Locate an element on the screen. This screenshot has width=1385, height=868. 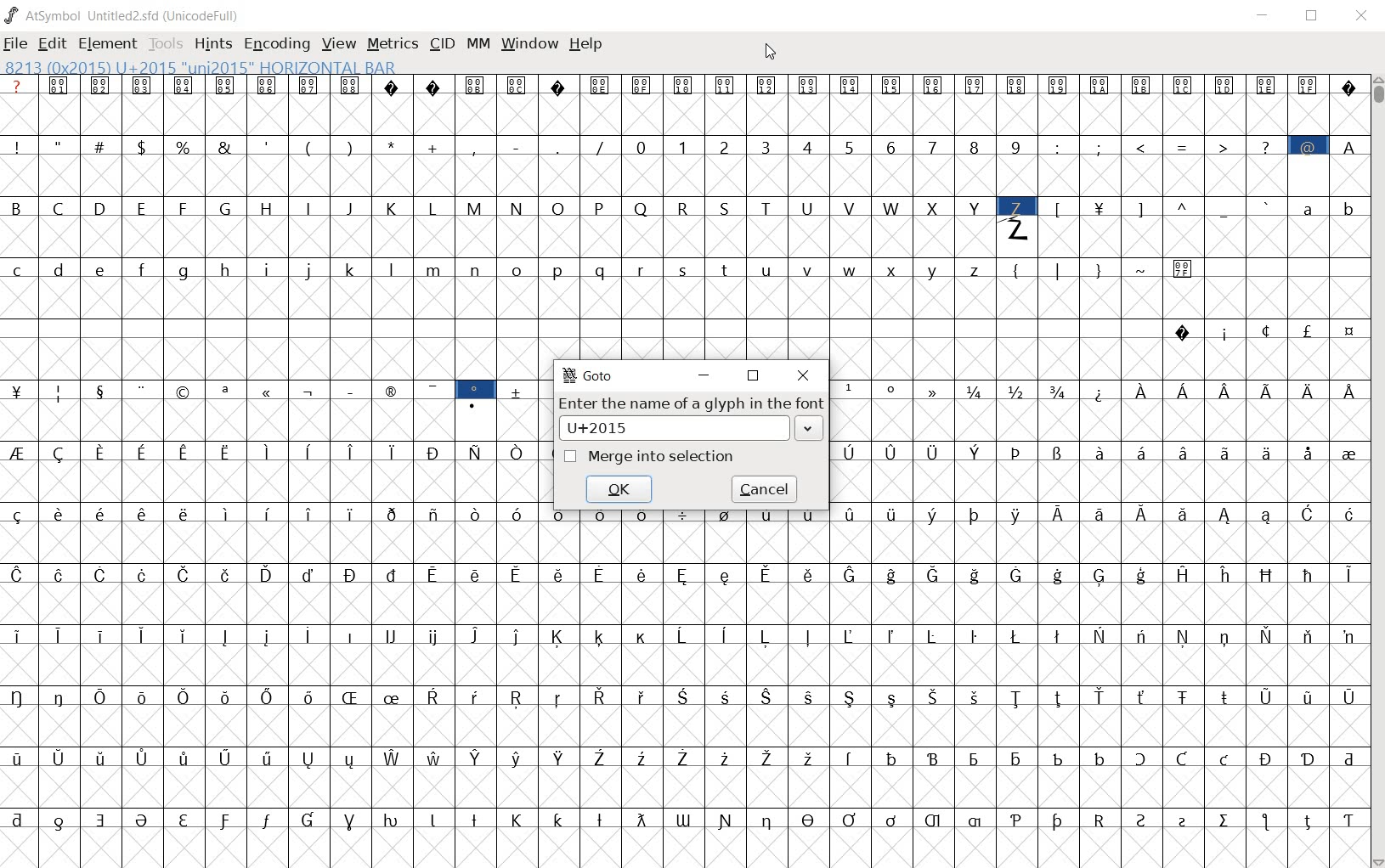
CURSOR is located at coordinates (772, 53).